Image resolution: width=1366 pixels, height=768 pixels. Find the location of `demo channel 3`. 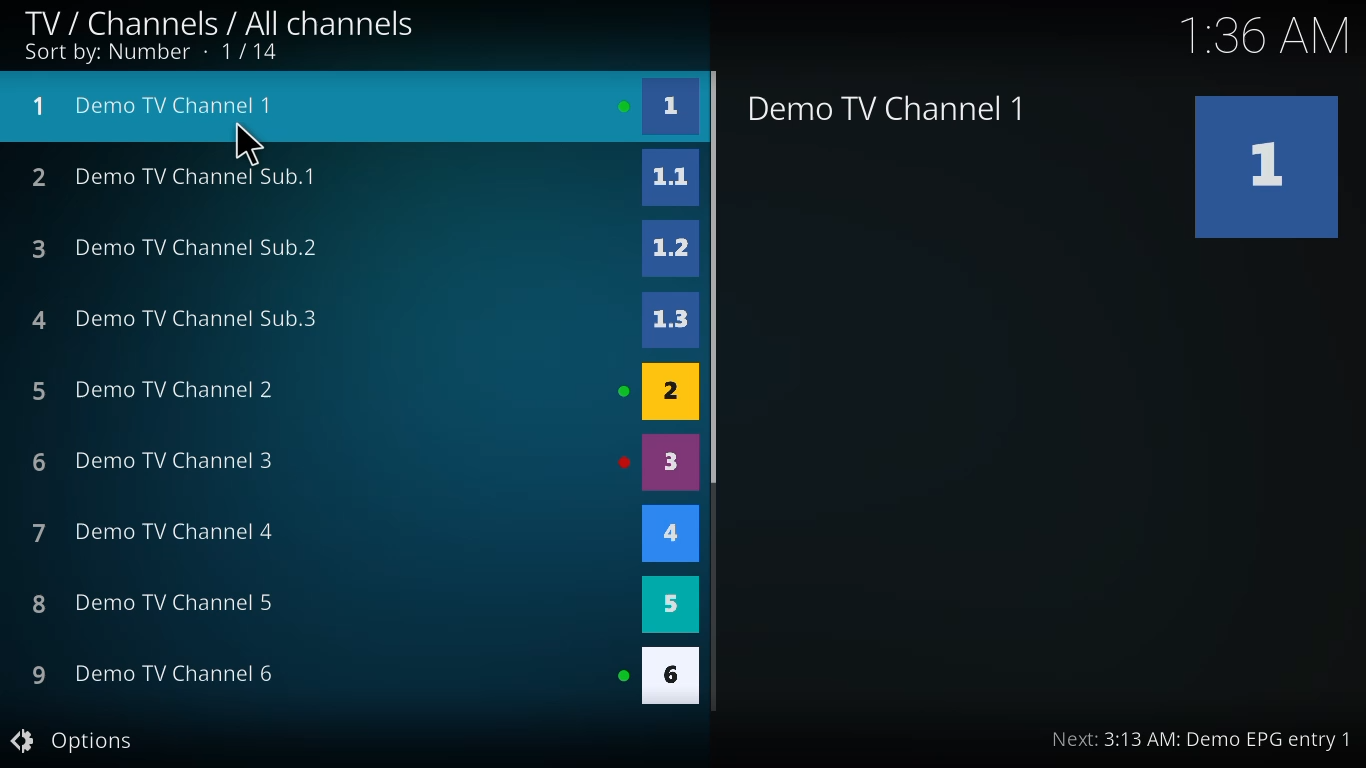

demo channel 3 is located at coordinates (159, 462).